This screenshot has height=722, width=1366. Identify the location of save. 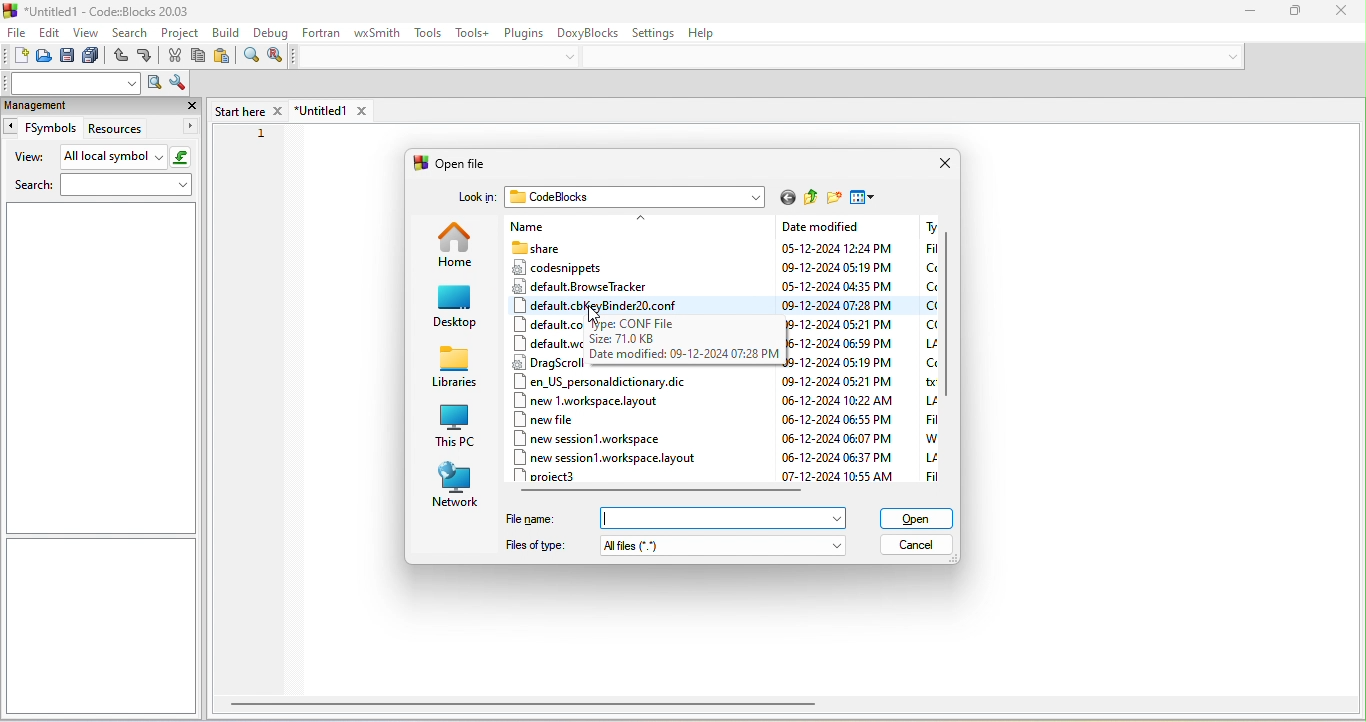
(68, 56).